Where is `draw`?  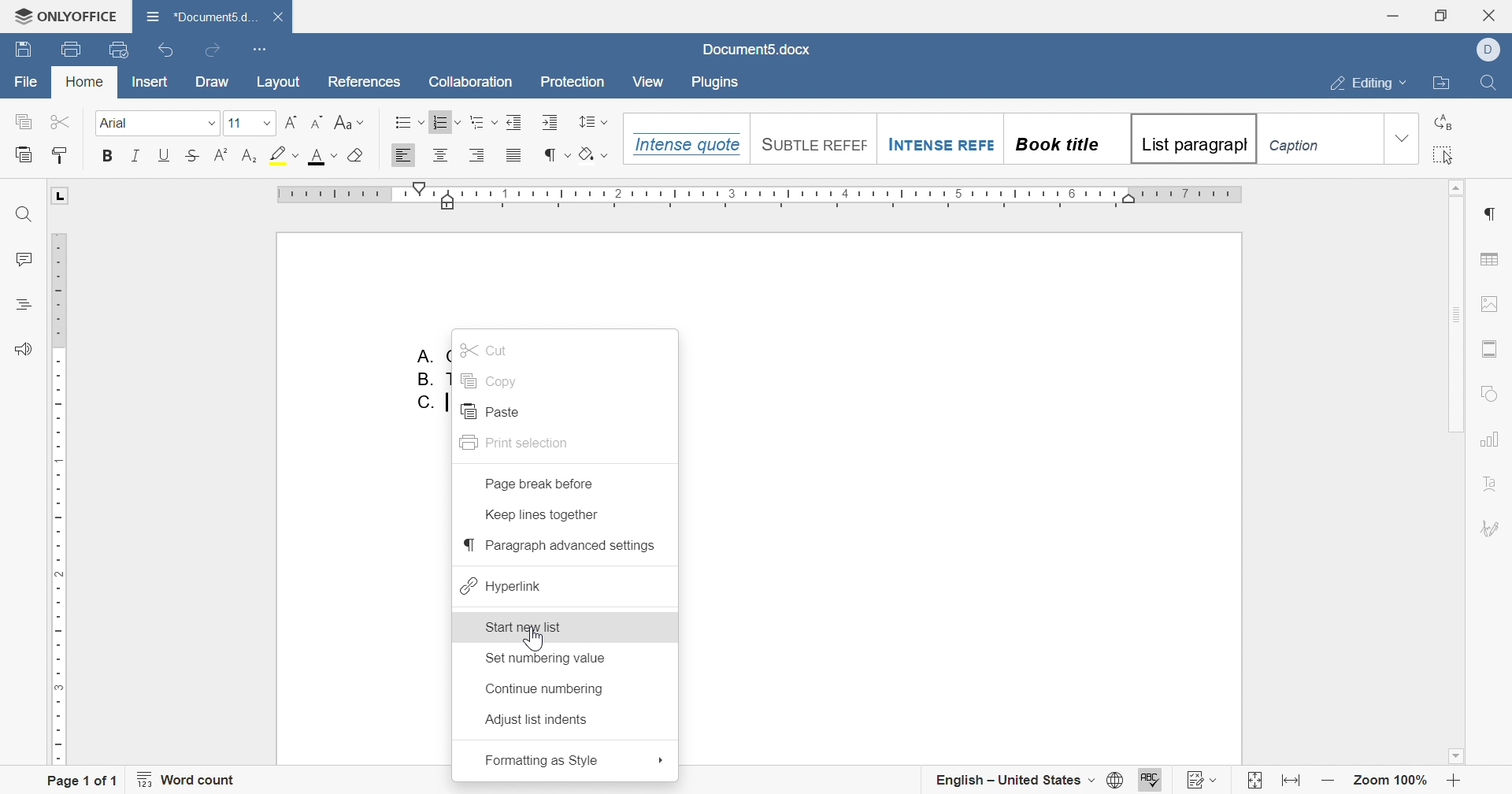
draw is located at coordinates (213, 84).